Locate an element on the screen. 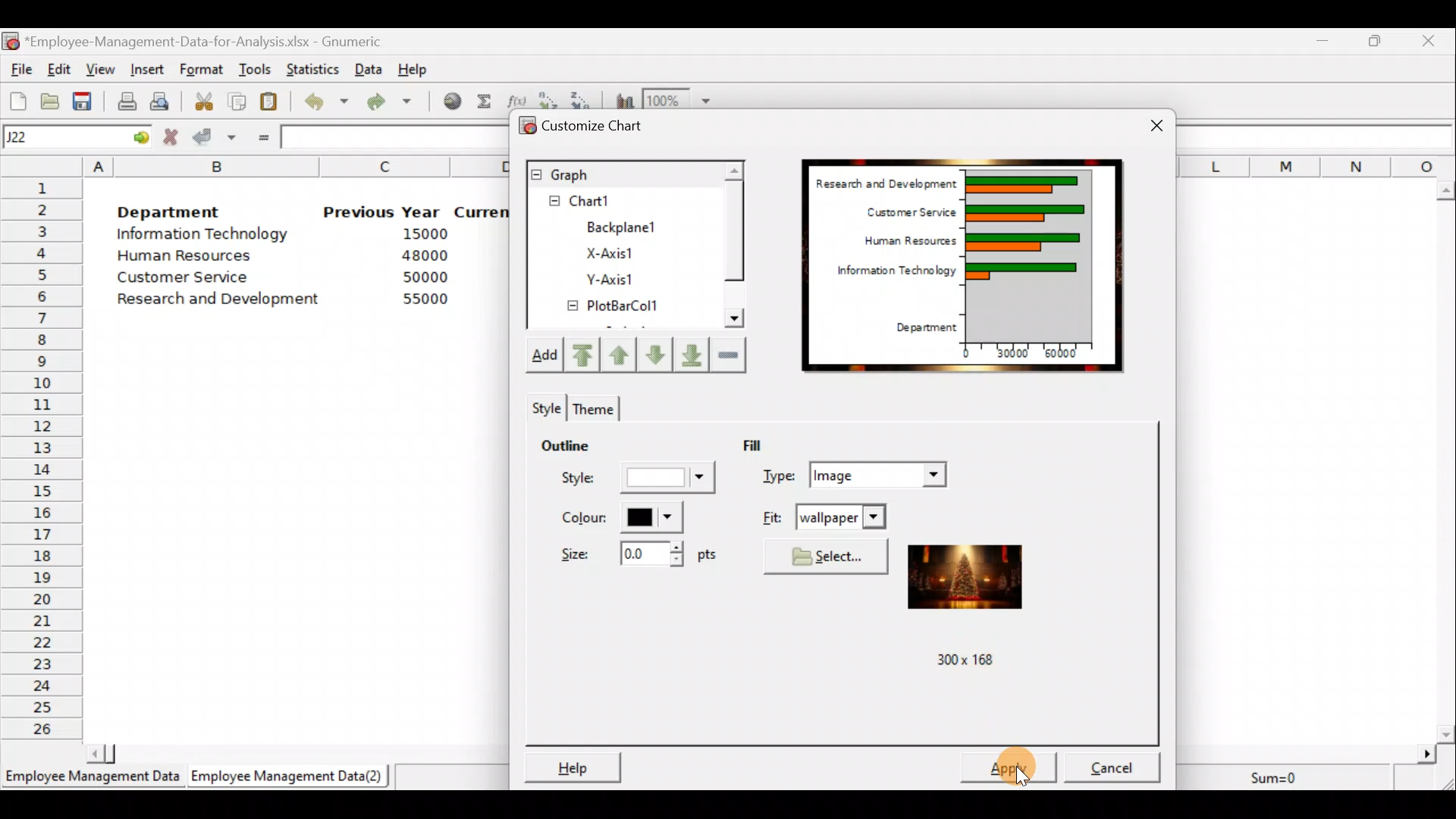  Preview is located at coordinates (964, 570).